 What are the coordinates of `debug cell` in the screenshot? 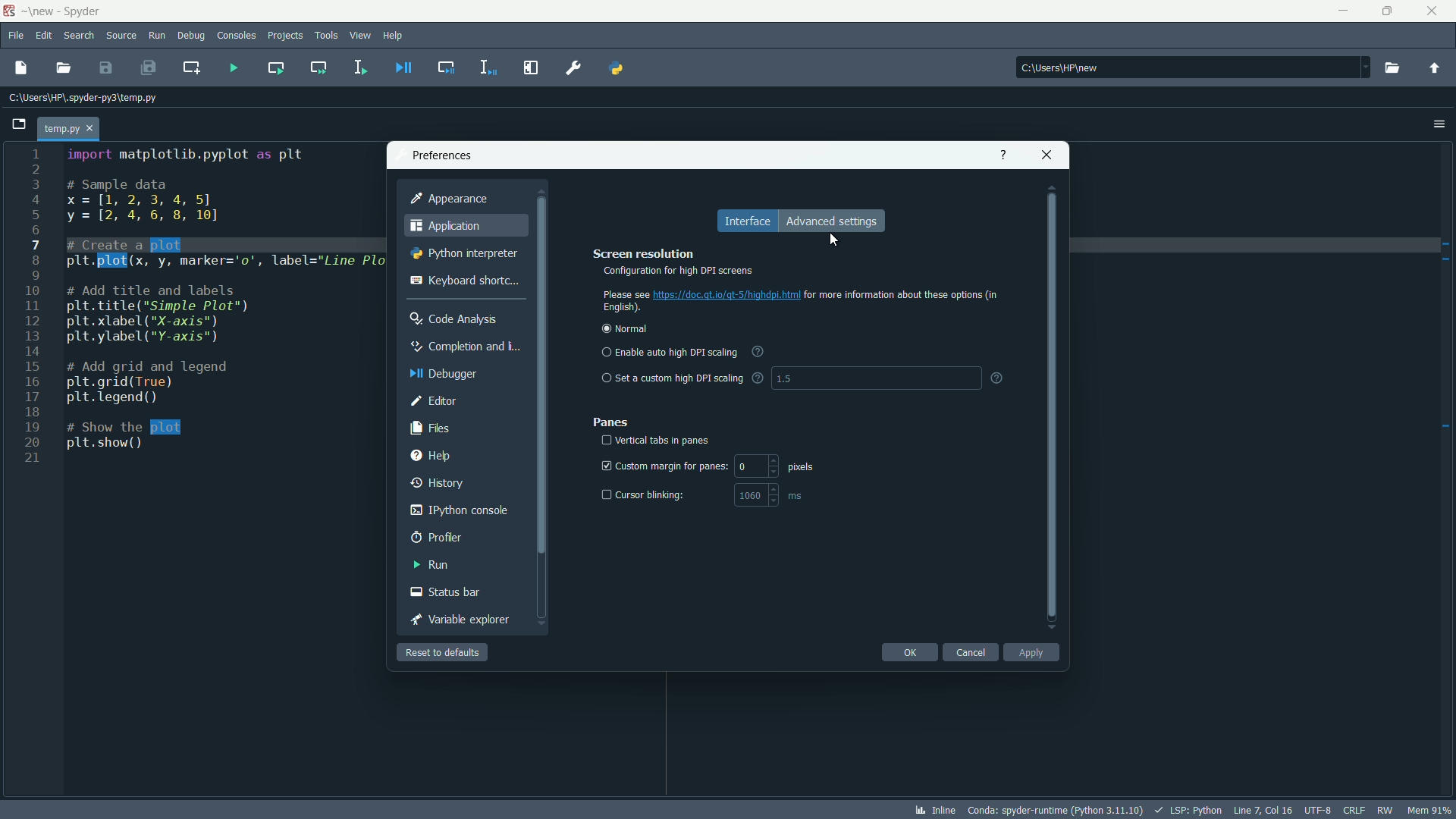 It's located at (444, 68).